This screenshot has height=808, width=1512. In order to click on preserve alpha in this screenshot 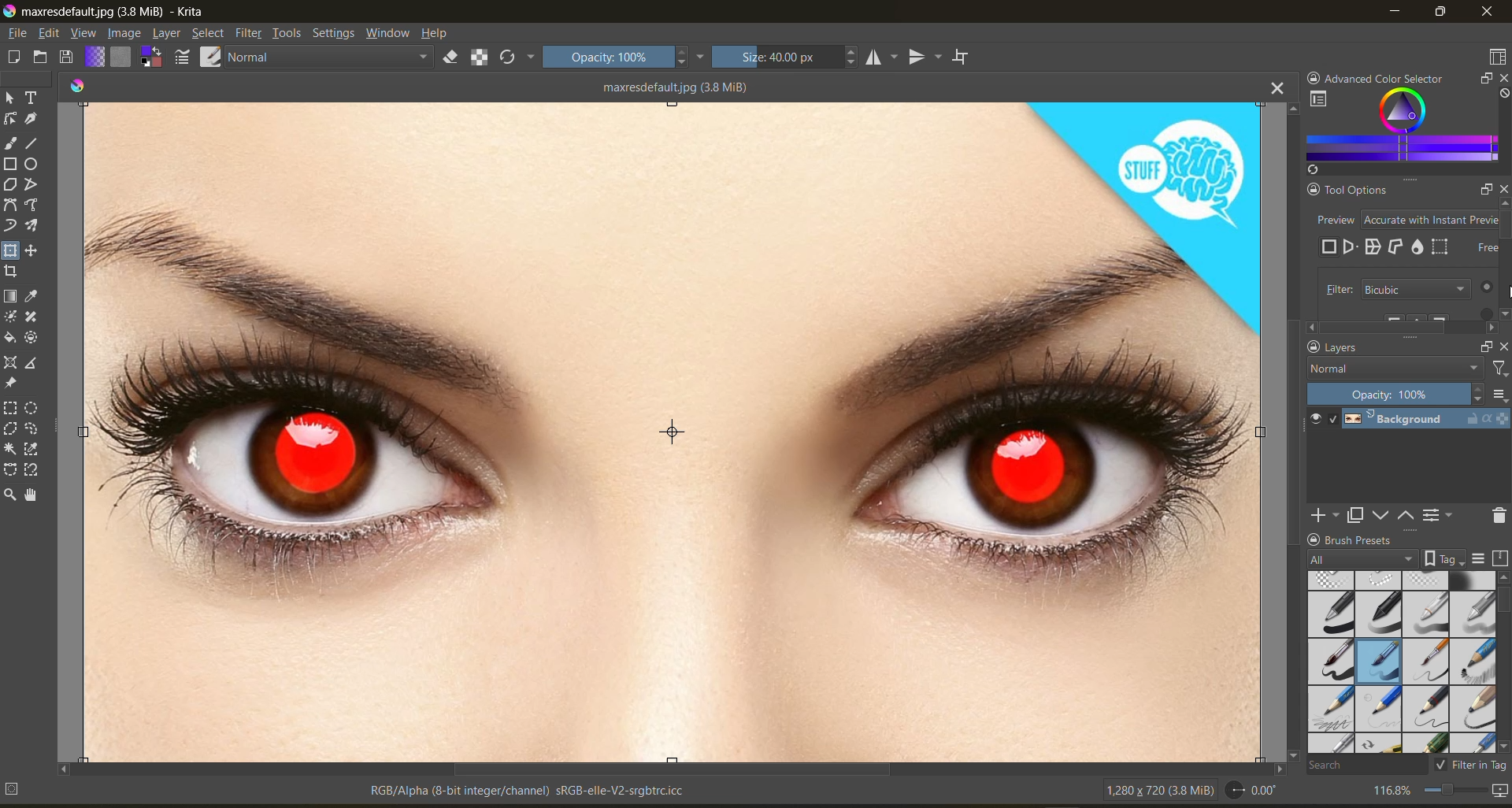, I will do `click(481, 57)`.